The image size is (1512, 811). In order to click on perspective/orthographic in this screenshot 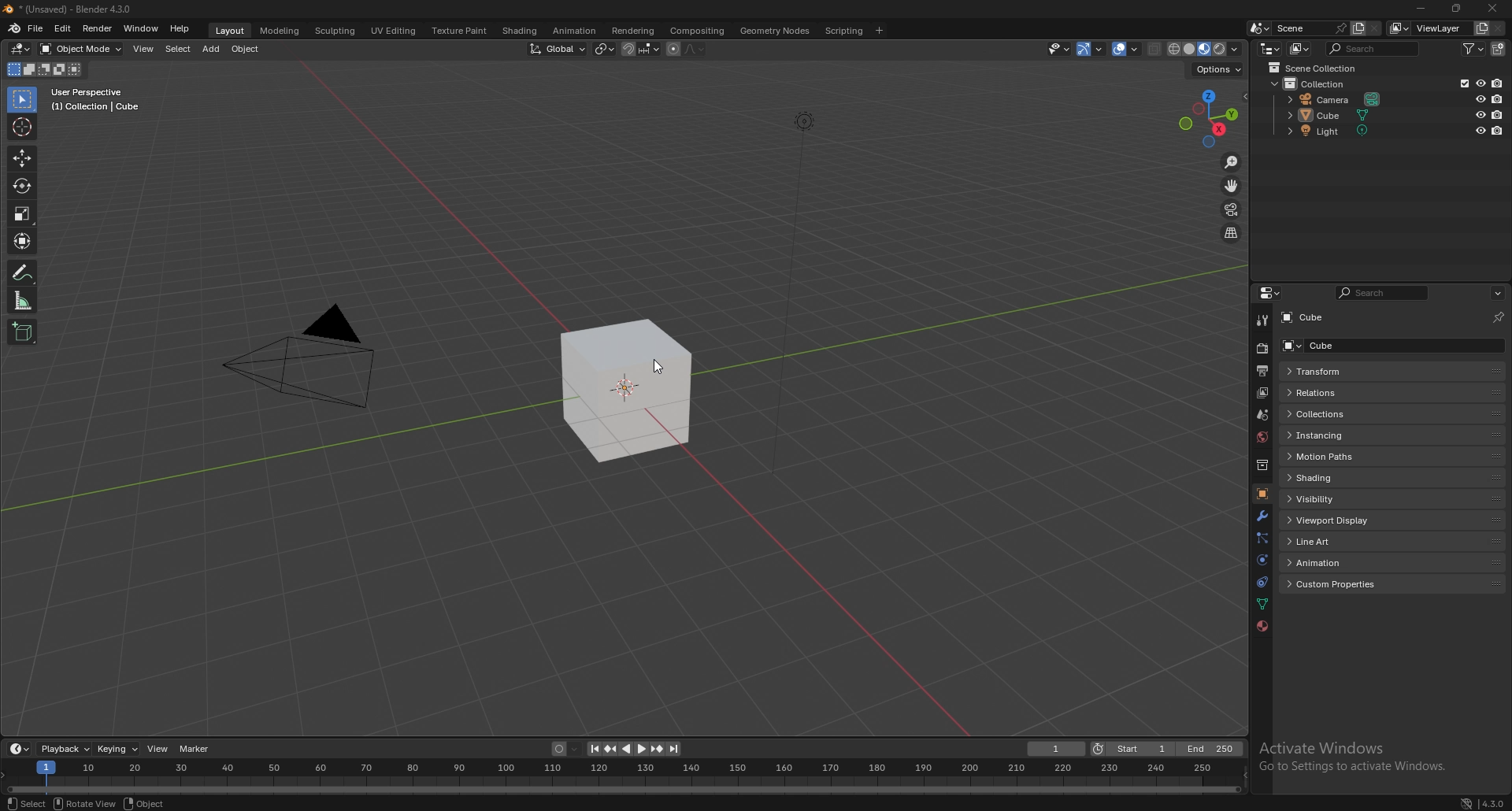, I will do `click(1232, 234)`.